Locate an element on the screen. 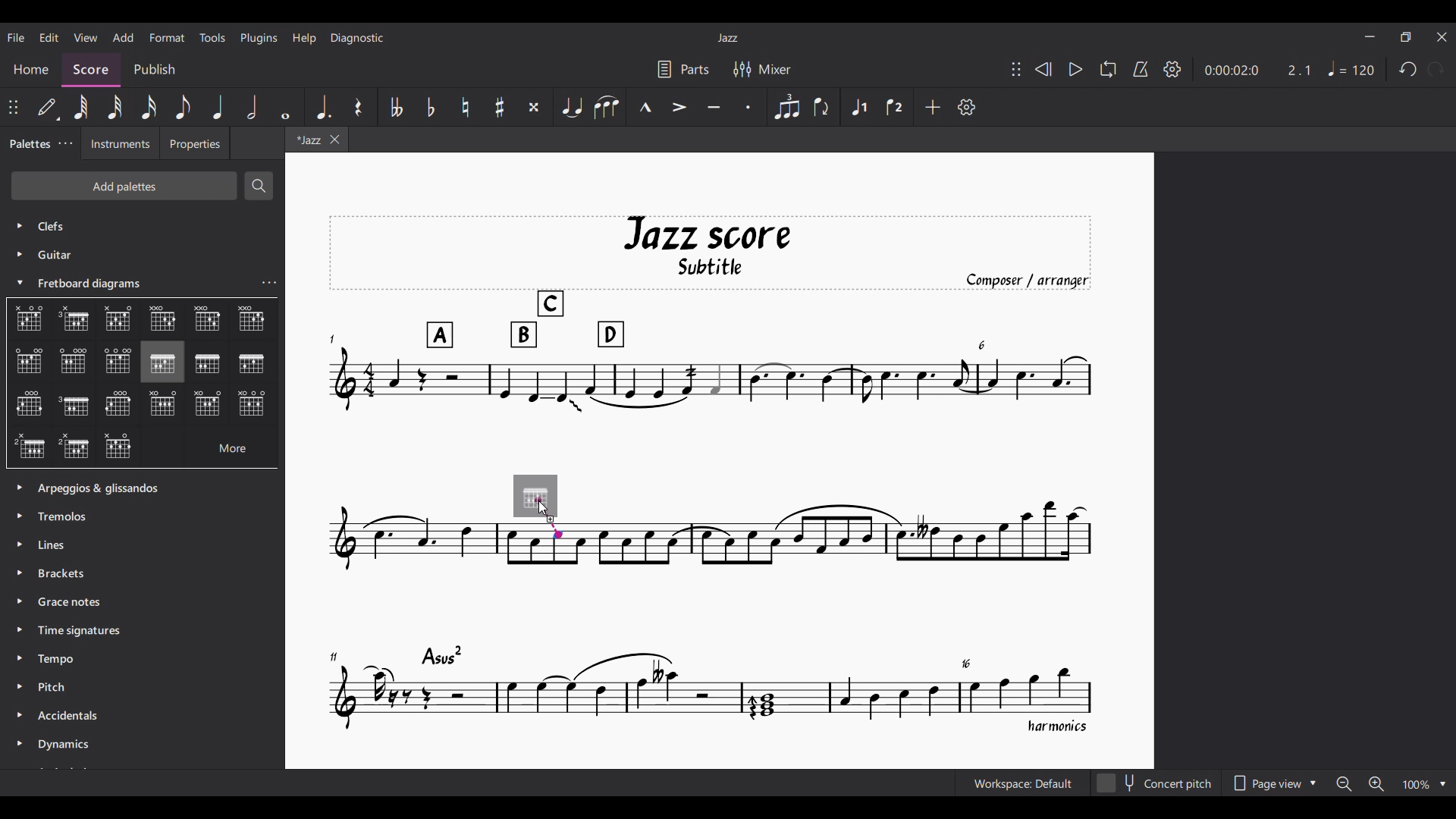 This screenshot has height=819, width=1456. Brackets is located at coordinates (67, 576).